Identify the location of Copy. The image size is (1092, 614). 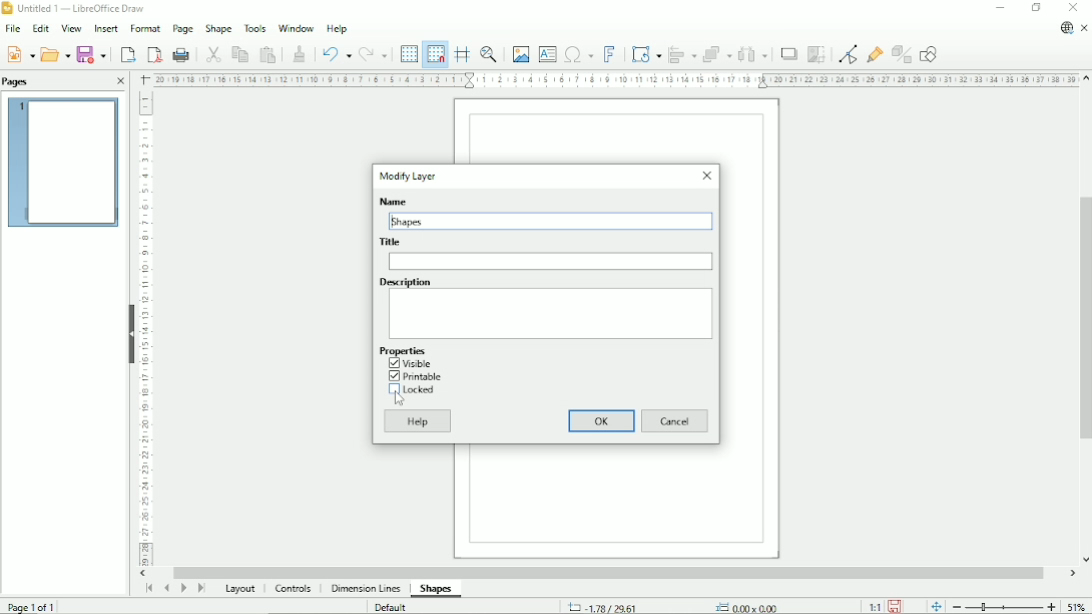
(238, 54).